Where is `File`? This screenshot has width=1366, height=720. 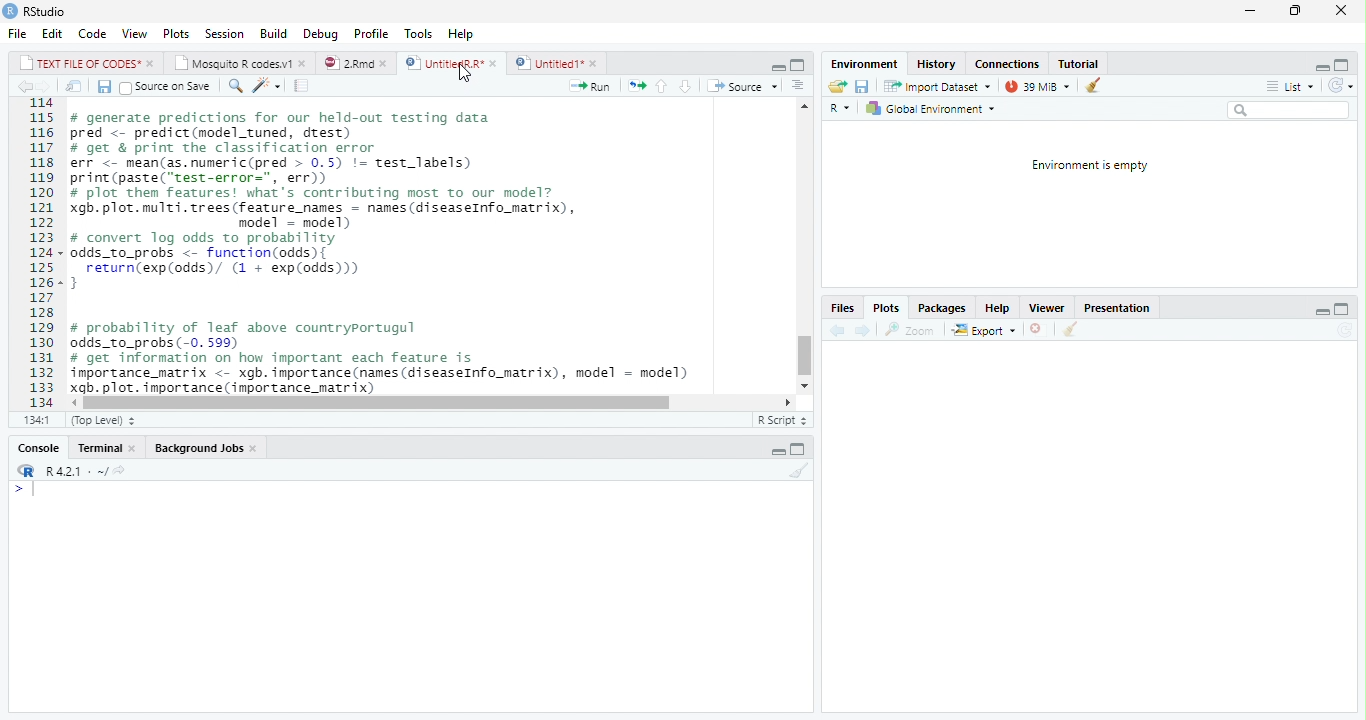 File is located at coordinates (16, 33).